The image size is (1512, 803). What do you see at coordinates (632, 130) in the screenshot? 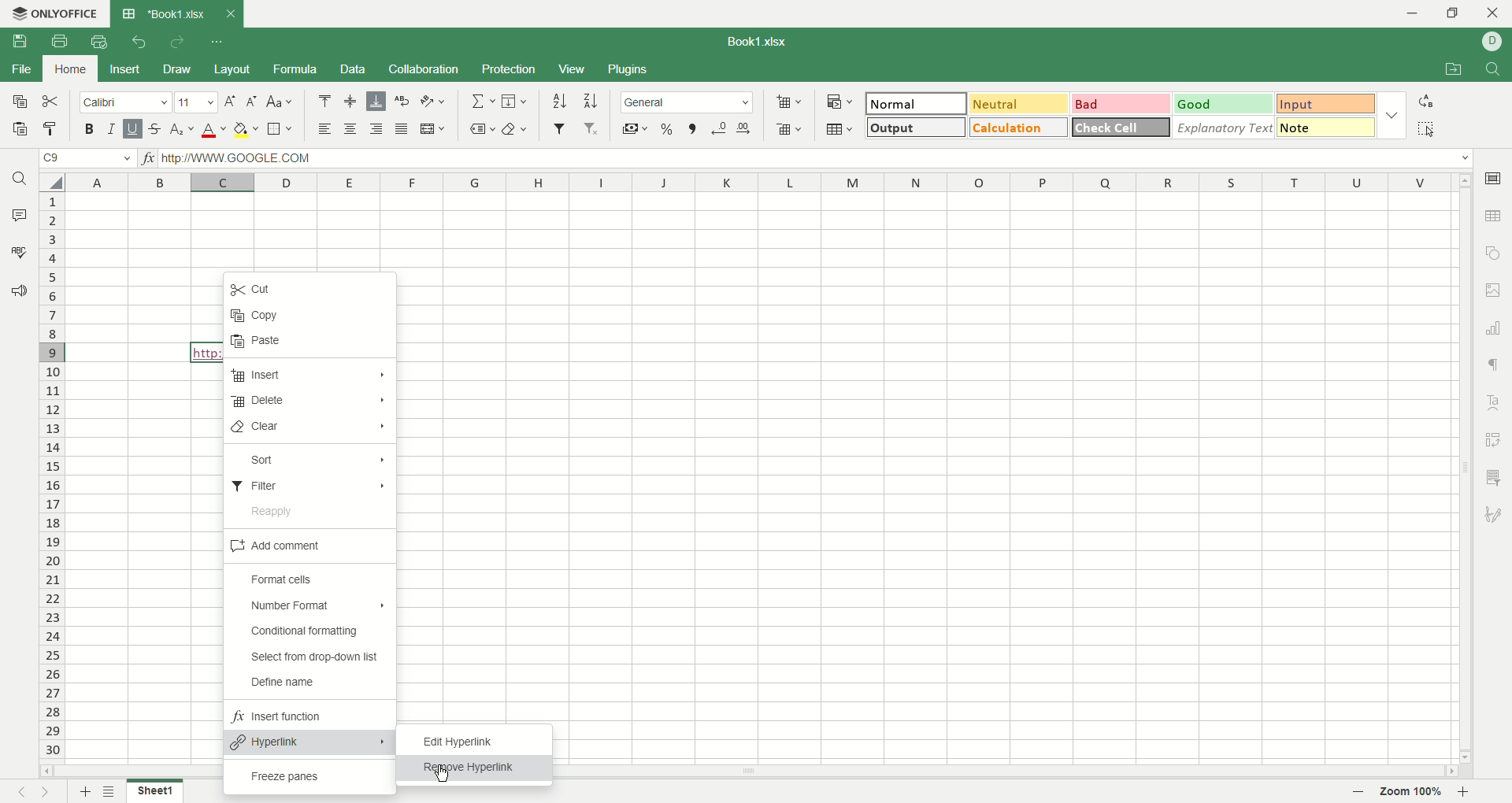
I see `currency style` at bounding box center [632, 130].